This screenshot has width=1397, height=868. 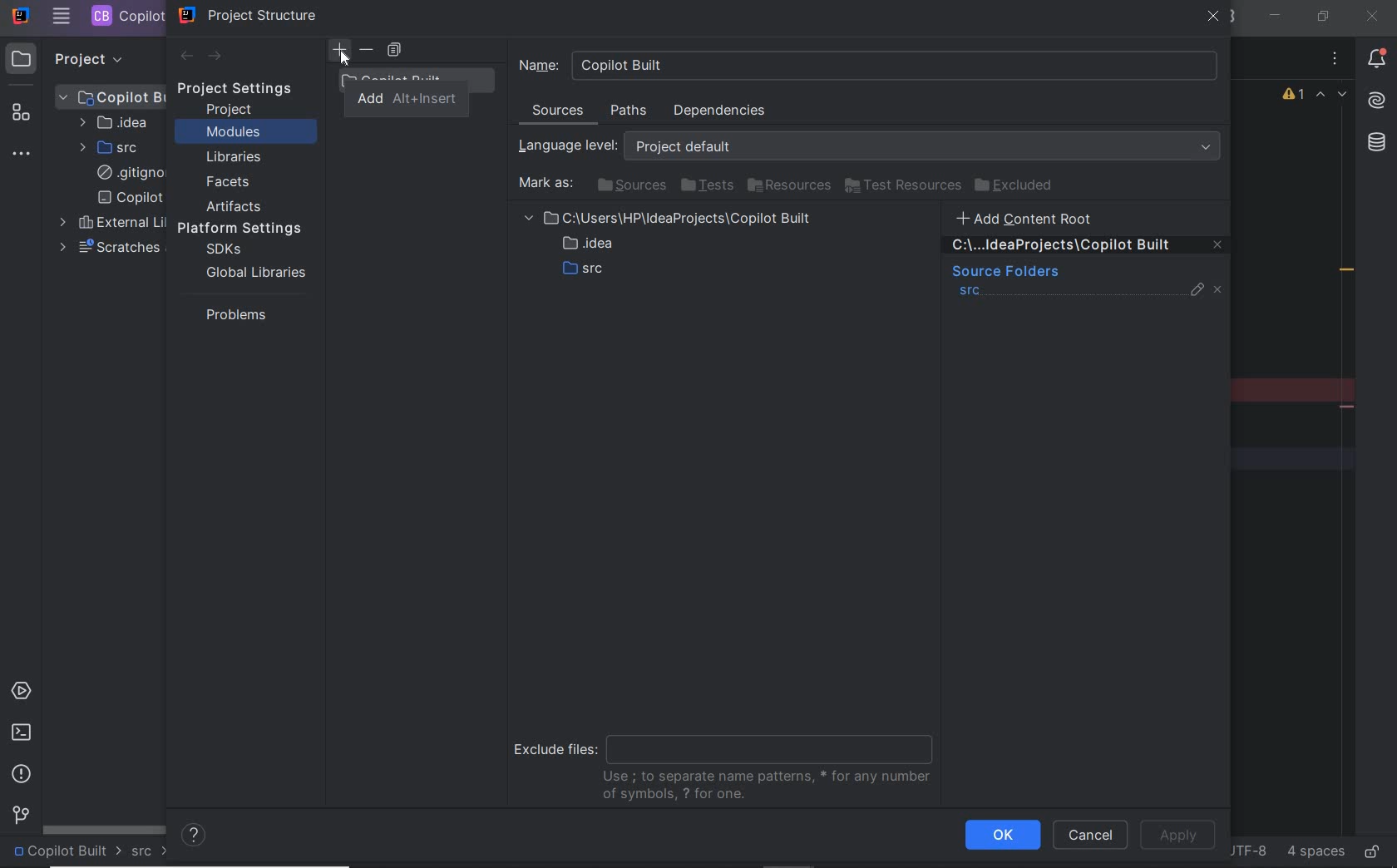 I want to click on project name, so click(x=67, y=852).